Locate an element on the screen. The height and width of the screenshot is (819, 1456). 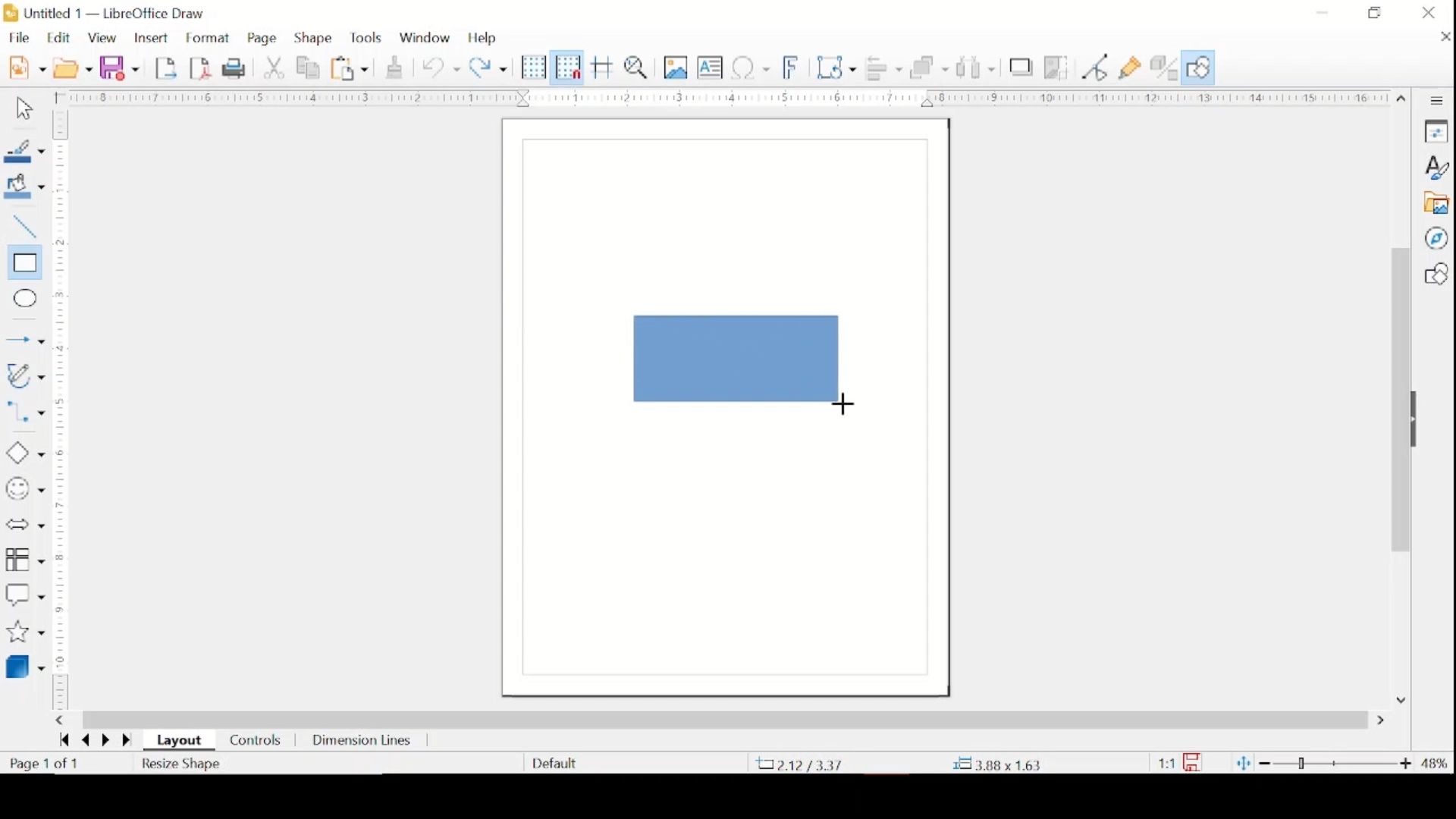
insert is located at coordinates (150, 39).